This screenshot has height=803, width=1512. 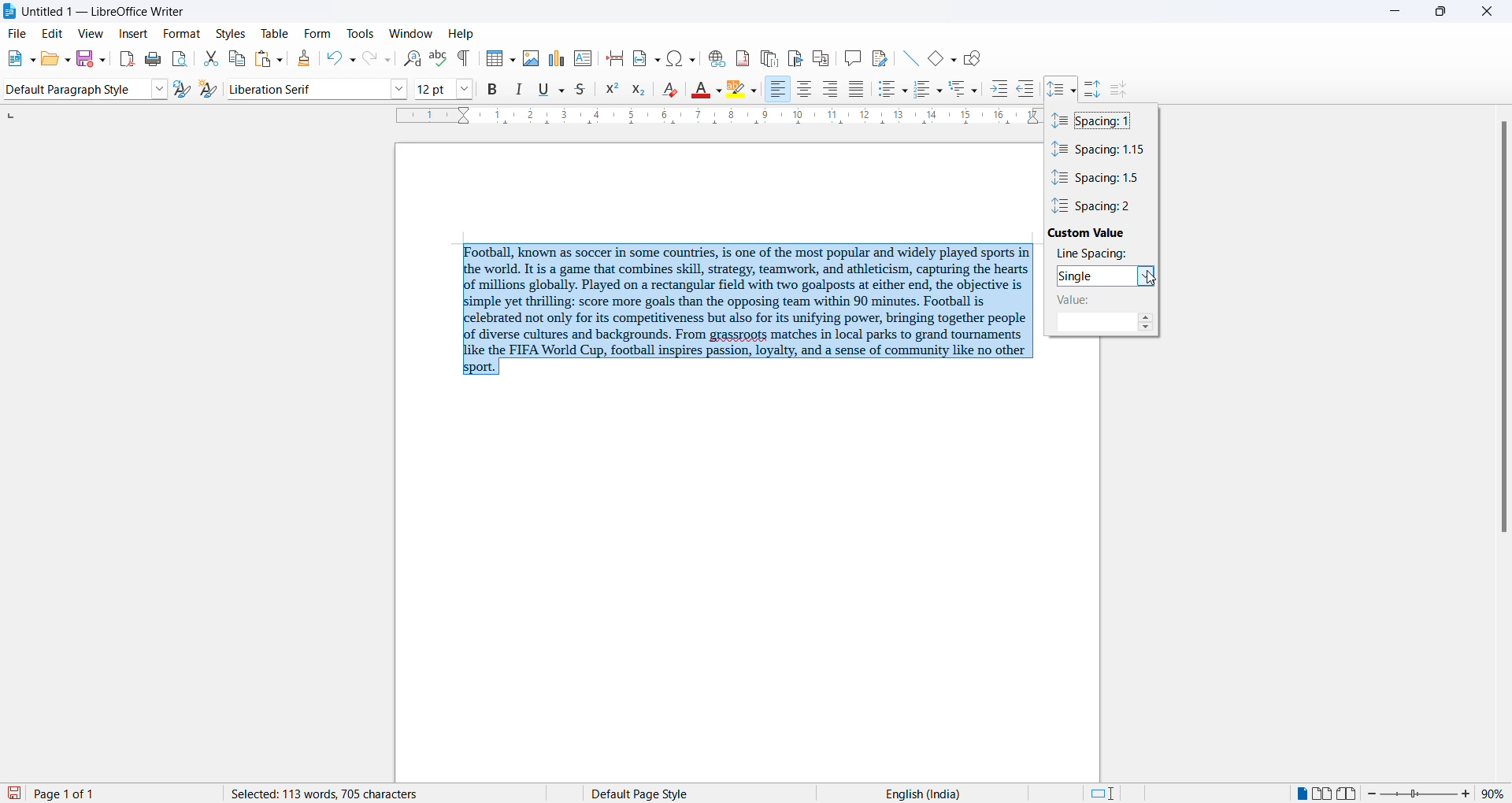 What do you see at coordinates (180, 89) in the screenshot?
I see `update selected style` at bounding box center [180, 89].